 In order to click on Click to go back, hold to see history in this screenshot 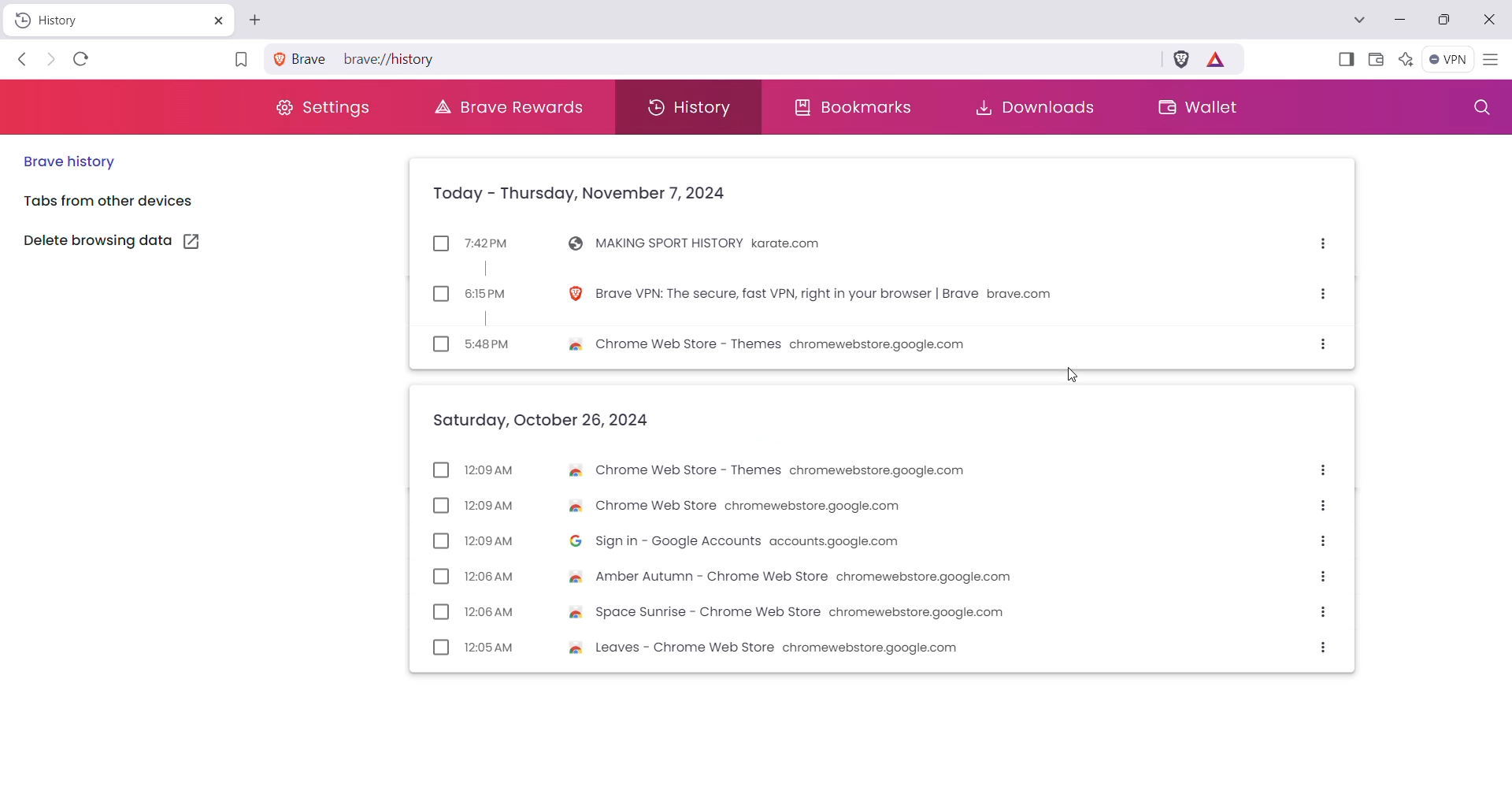, I will do `click(18, 61)`.